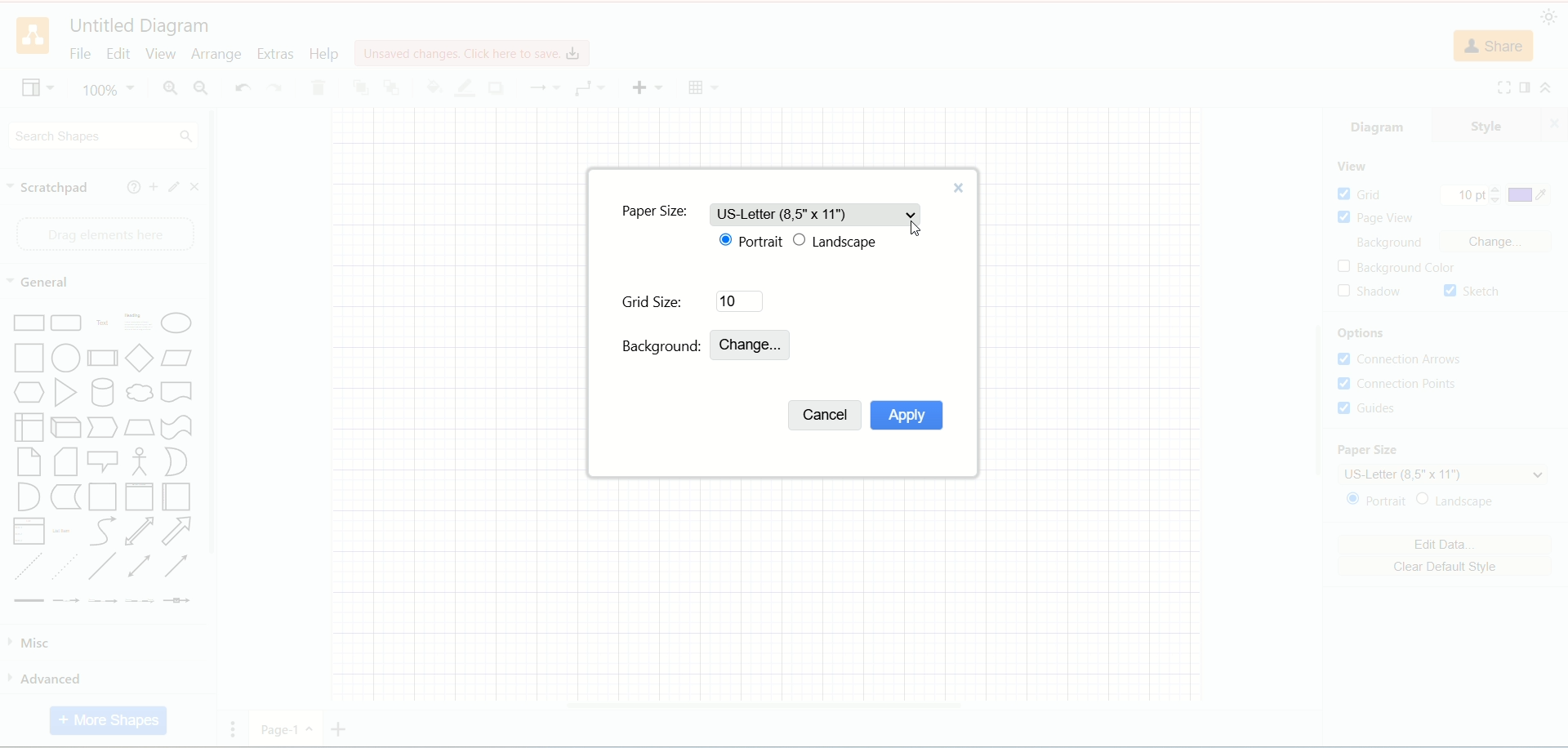  I want to click on Cursor Position, so click(913, 231).